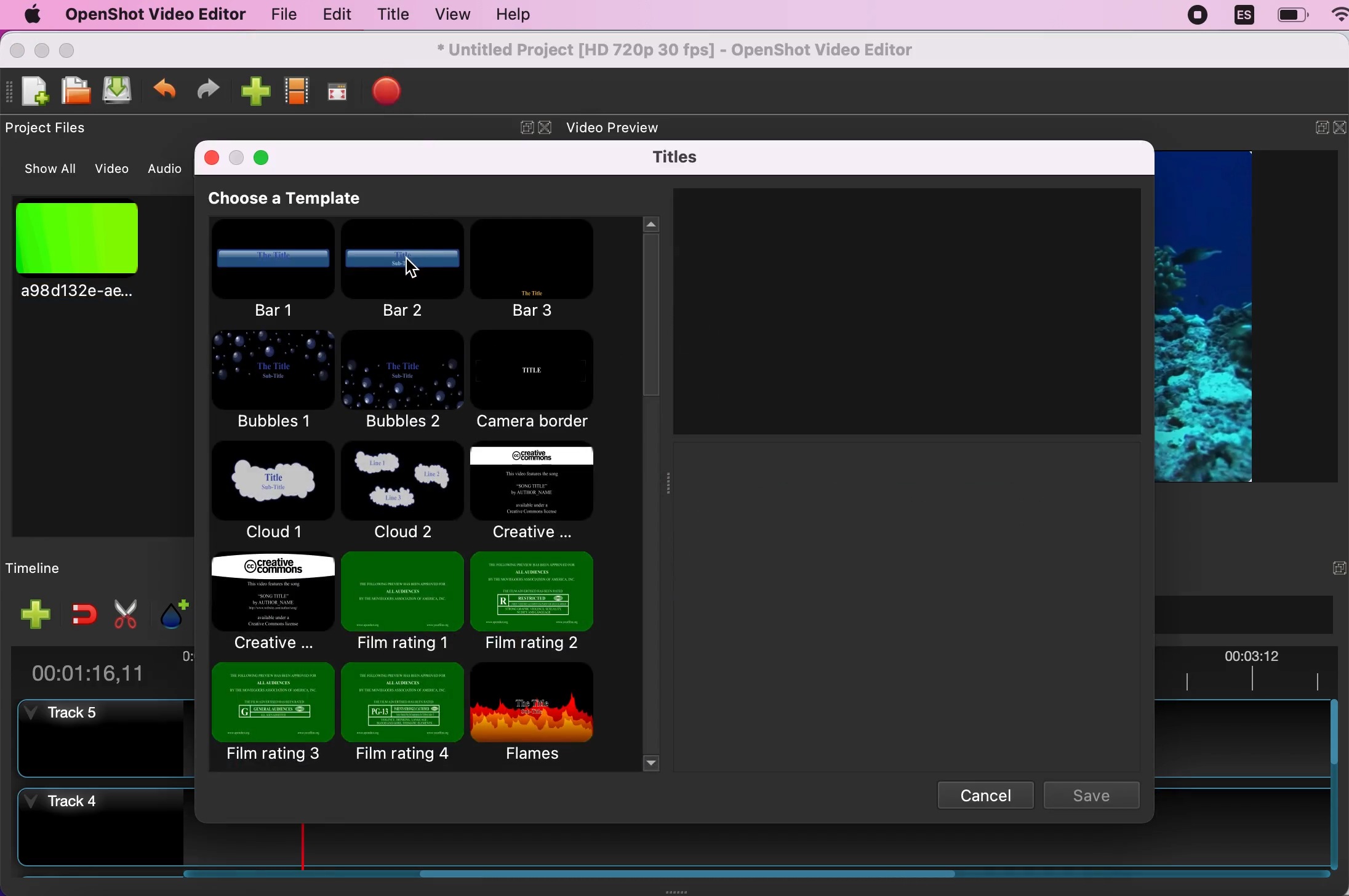  What do you see at coordinates (407, 267) in the screenshot?
I see `bar 2` at bounding box center [407, 267].